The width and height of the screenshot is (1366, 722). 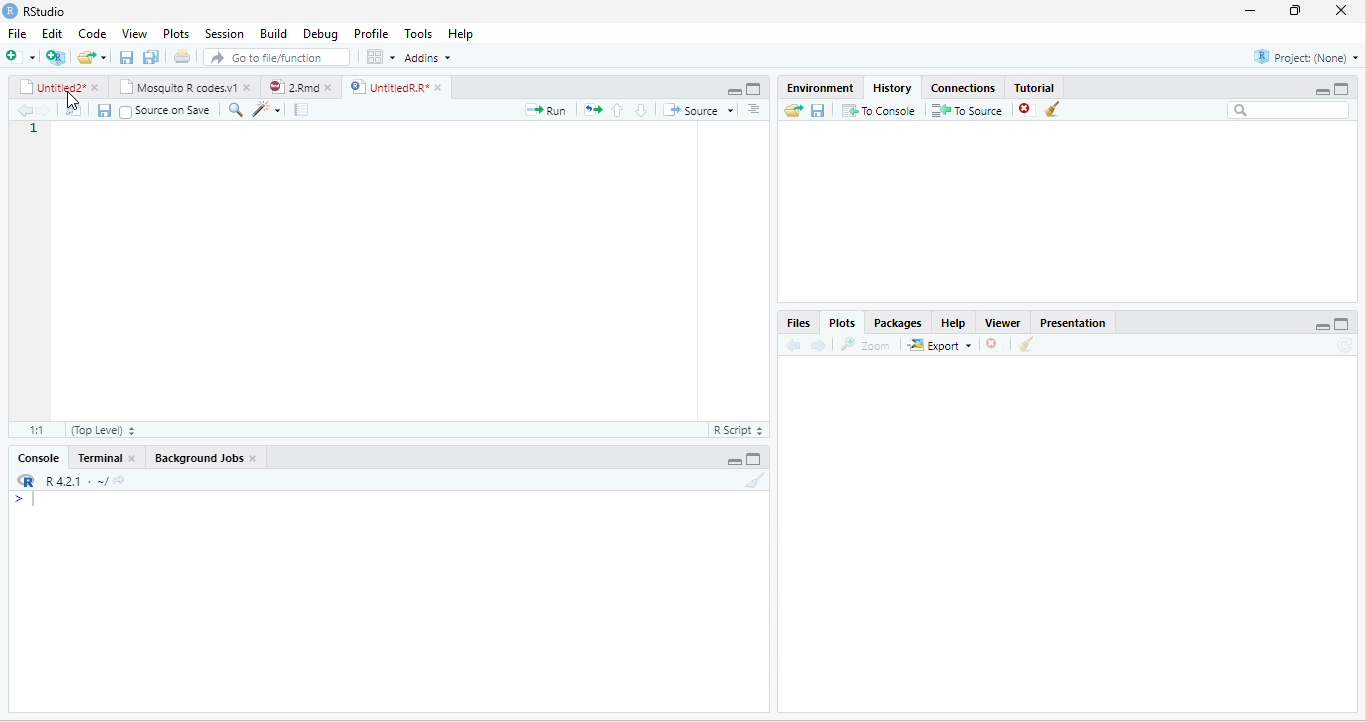 What do you see at coordinates (1349, 326) in the screenshot?
I see `MAXIMIZE` at bounding box center [1349, 326].